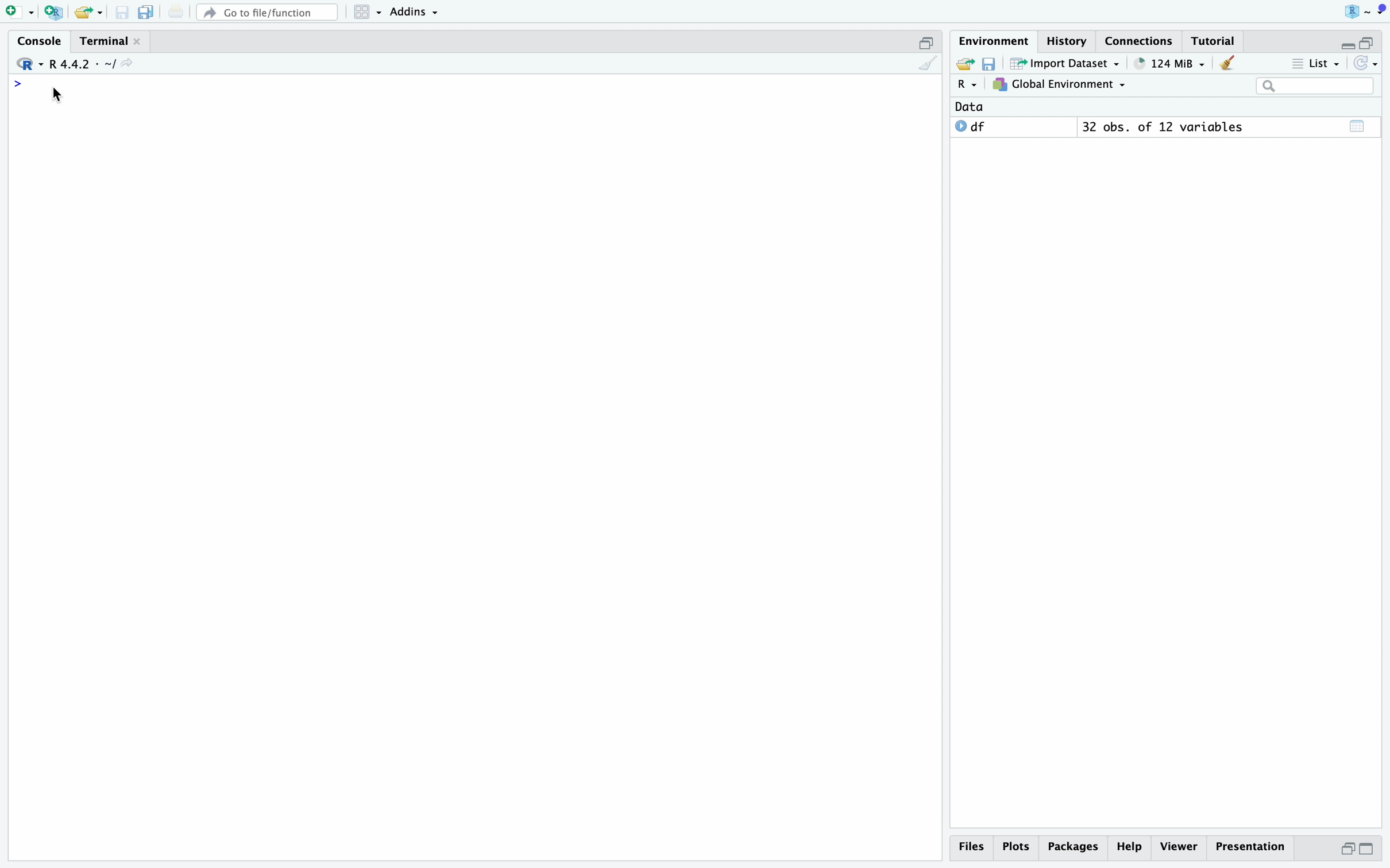 Image resolution: width=1390 pixels, height=868 pixels. Describe the element at coordinates (18, 84) in the screenshot. I see `>` at that location.